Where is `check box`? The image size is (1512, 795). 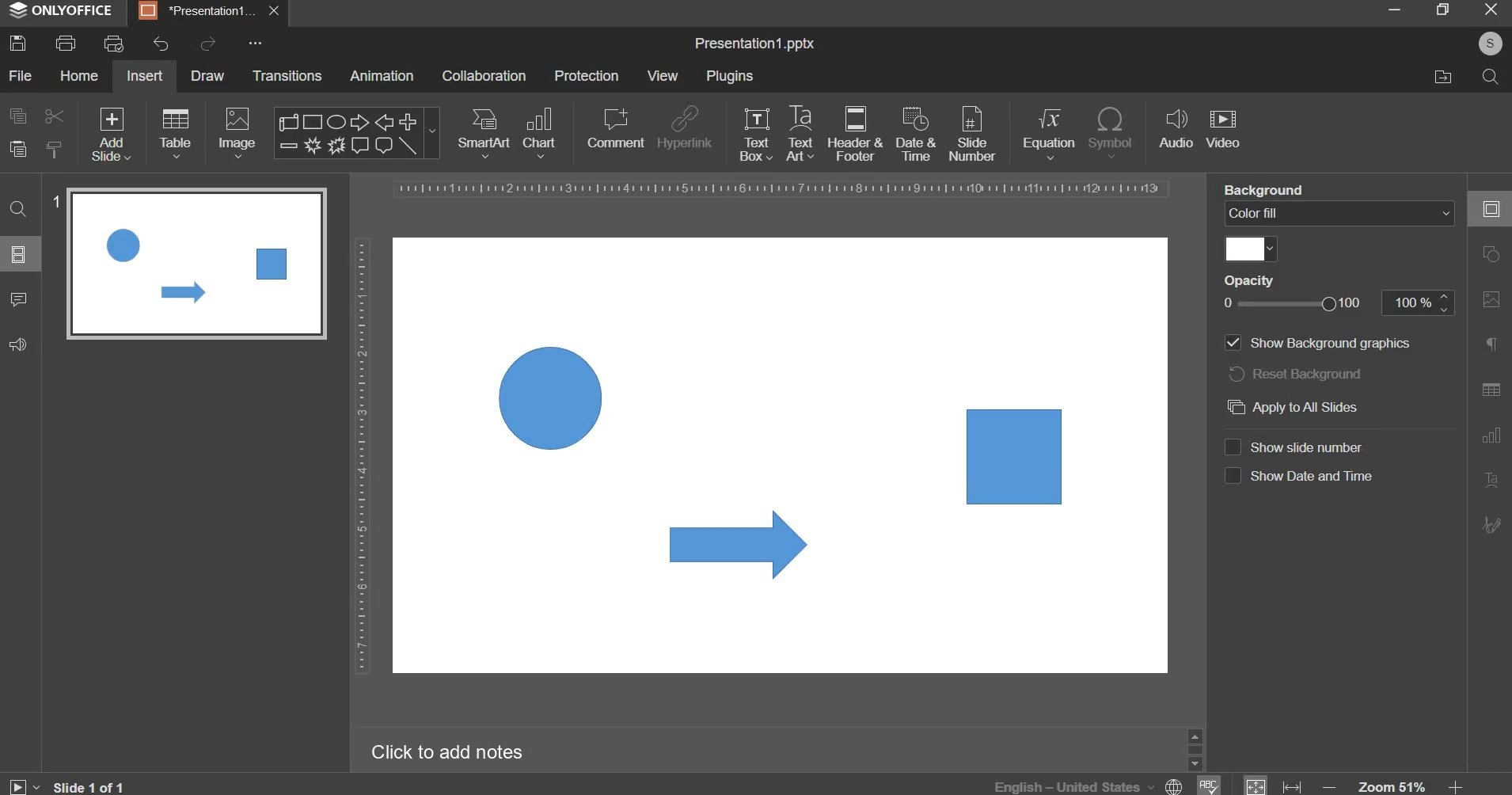
check box is located at coordinates (1232, 476).